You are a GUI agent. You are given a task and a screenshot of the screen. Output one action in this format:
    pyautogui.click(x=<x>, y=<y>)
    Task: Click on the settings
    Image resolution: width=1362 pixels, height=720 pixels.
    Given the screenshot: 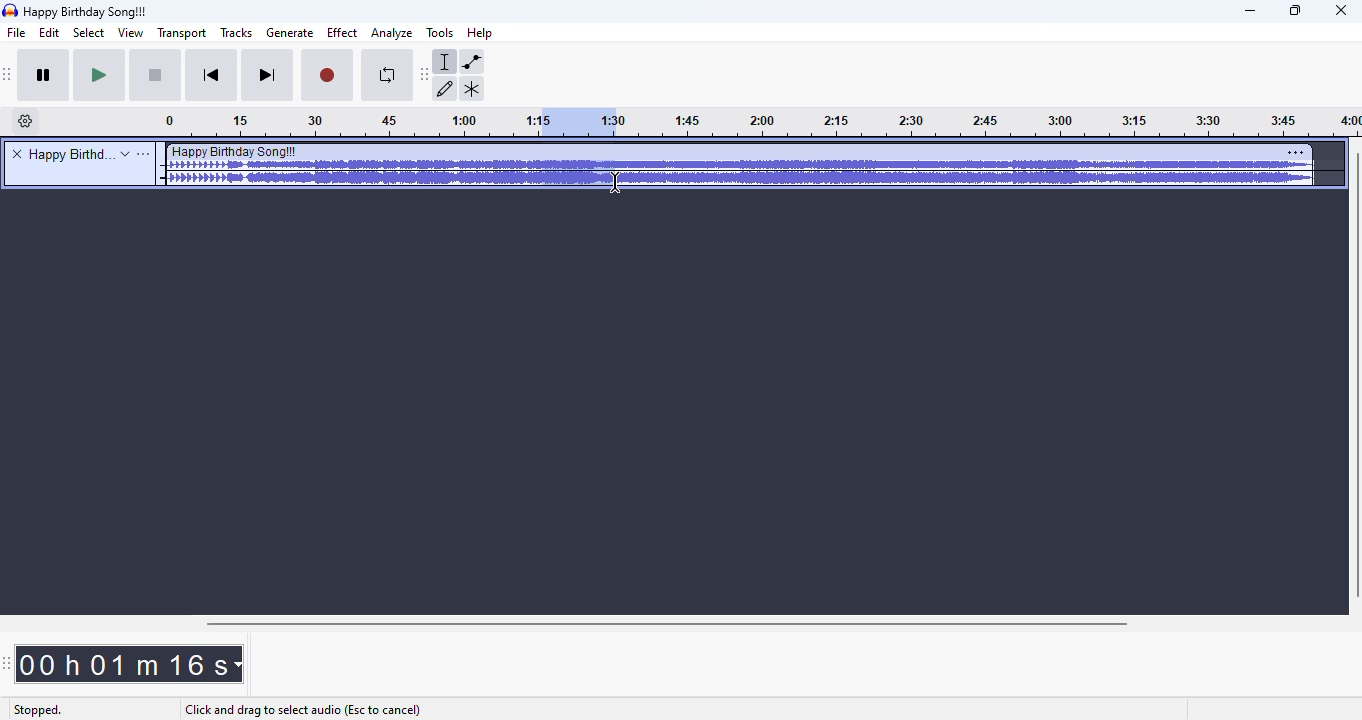 What is the action you would take?
    pyautogui.click(x=1296, y=152)
    